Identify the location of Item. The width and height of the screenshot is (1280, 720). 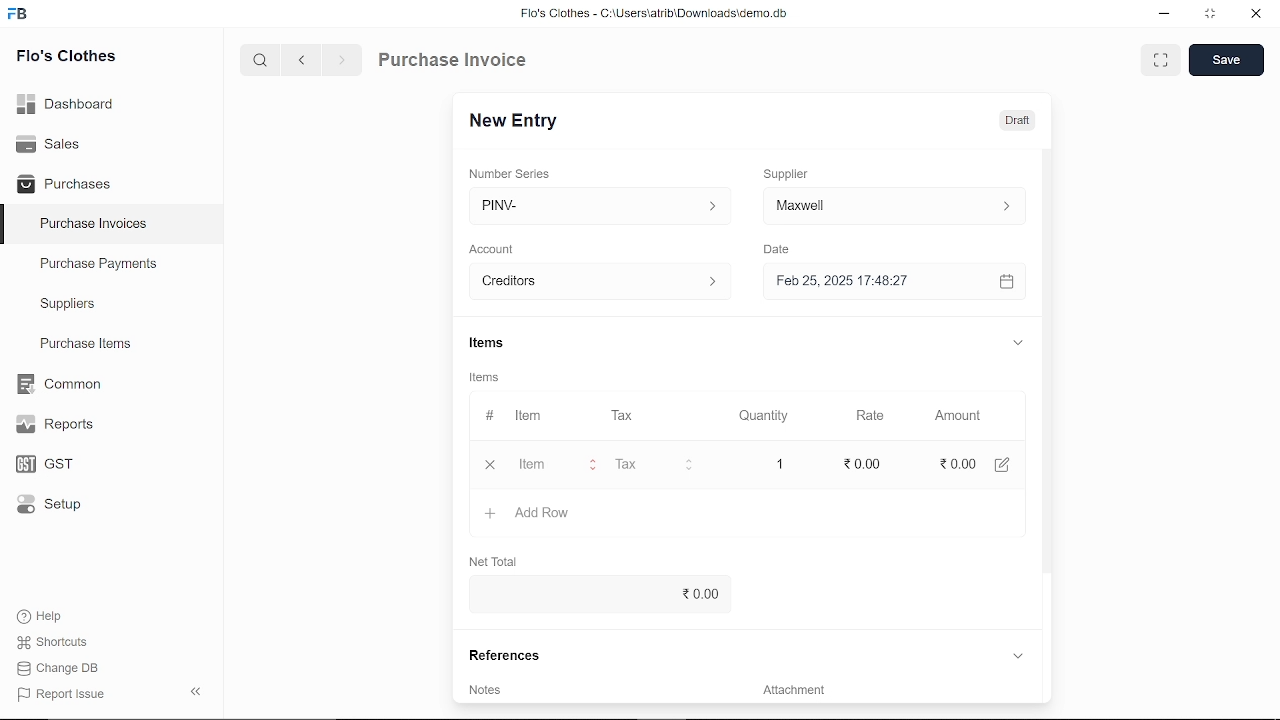
(514, 416).